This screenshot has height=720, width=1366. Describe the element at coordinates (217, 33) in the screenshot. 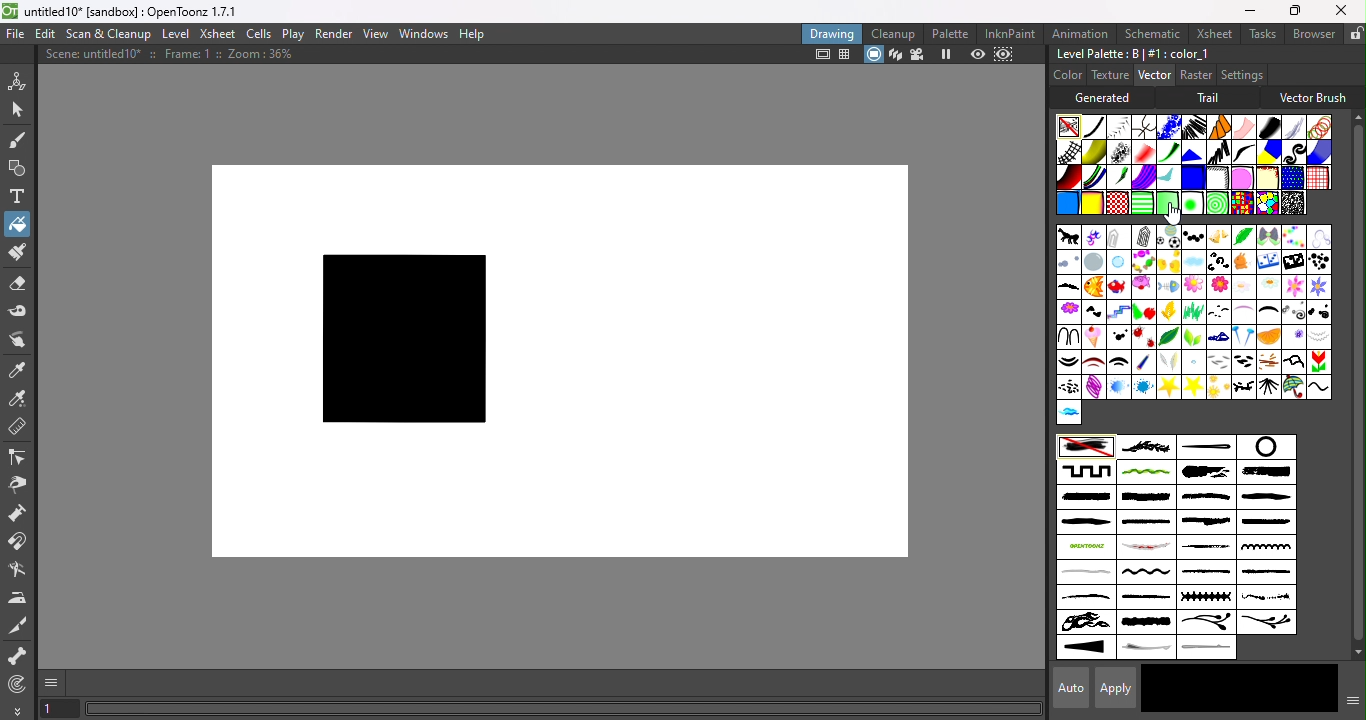

I see `Xsheet` at that location.